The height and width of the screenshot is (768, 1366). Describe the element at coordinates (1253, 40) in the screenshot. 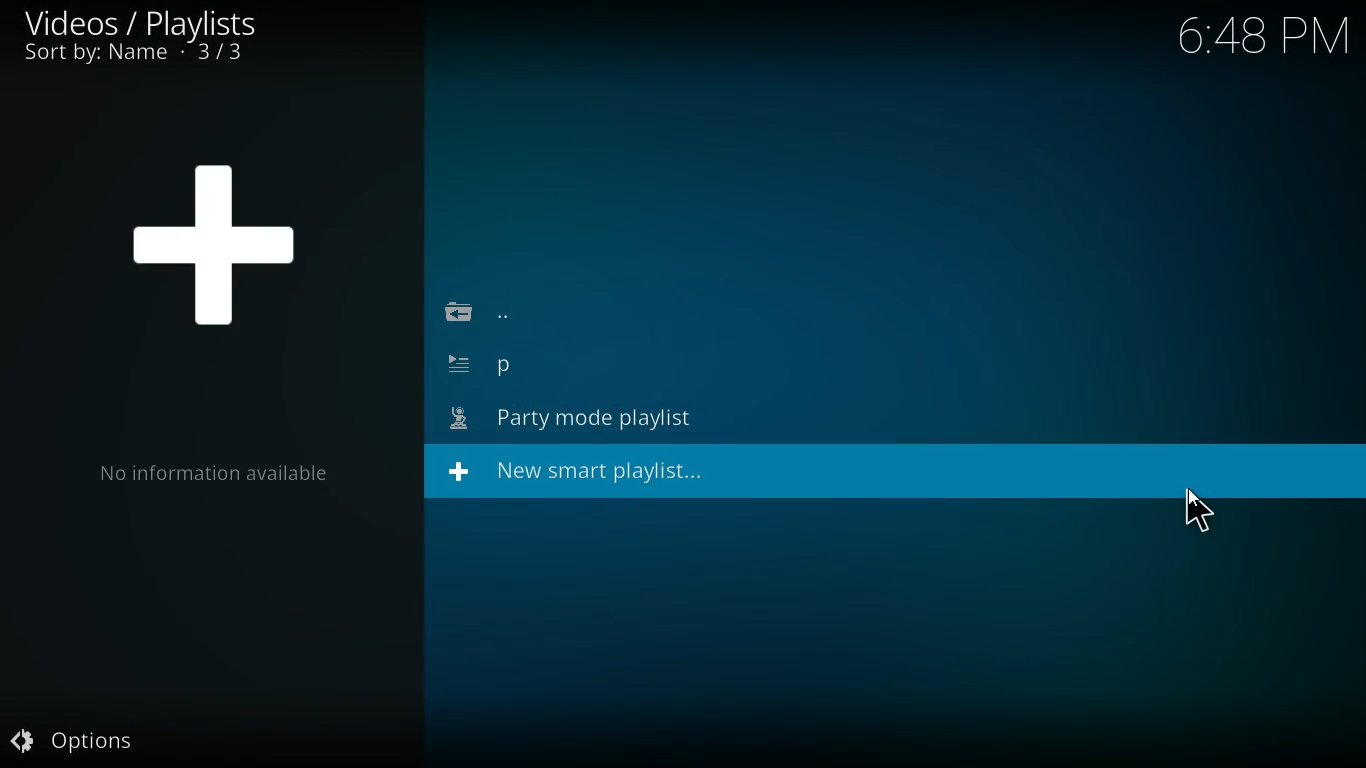

I see `time` at that location.